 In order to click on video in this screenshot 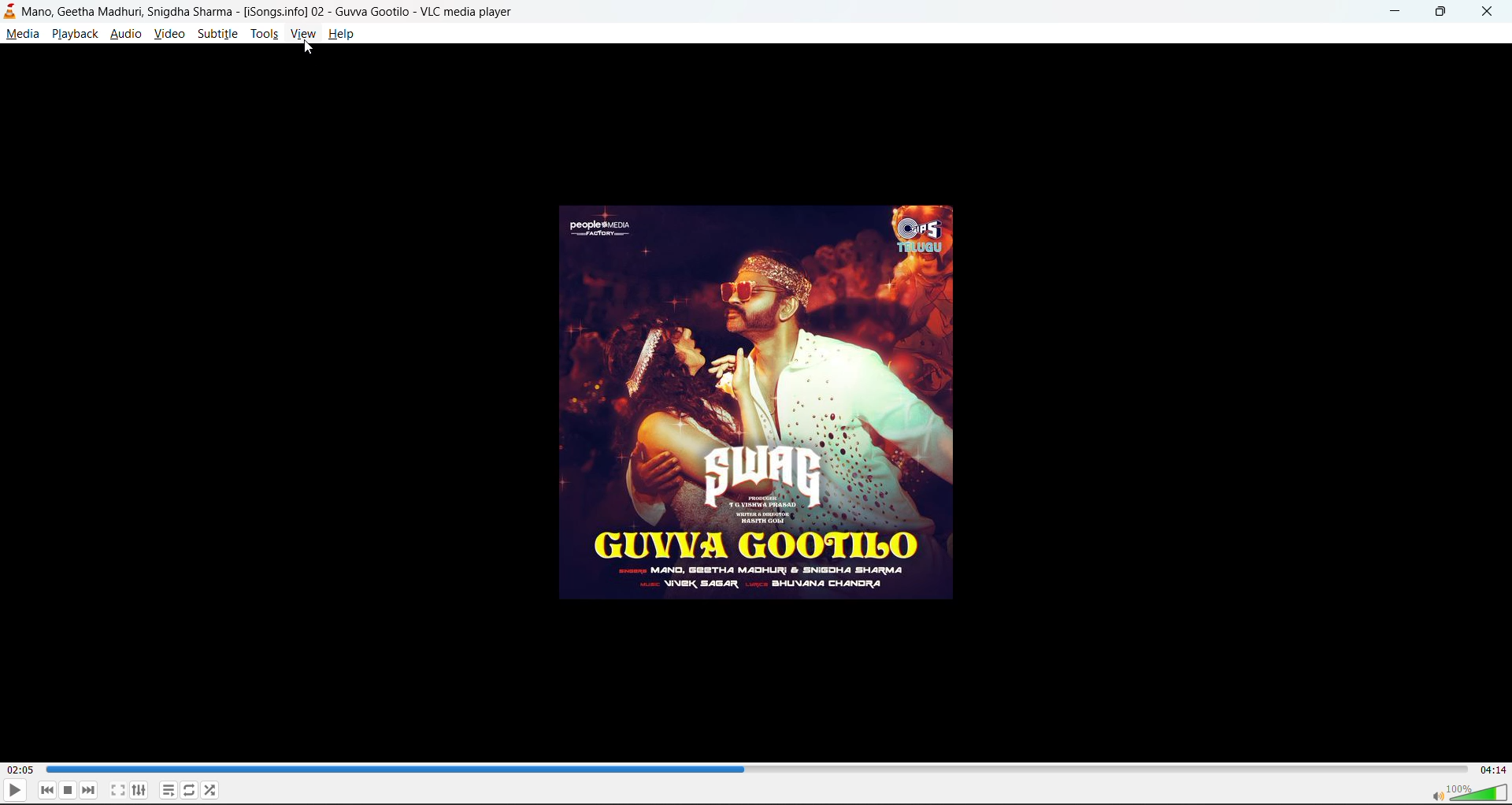, I will do `click(169, 33)`.